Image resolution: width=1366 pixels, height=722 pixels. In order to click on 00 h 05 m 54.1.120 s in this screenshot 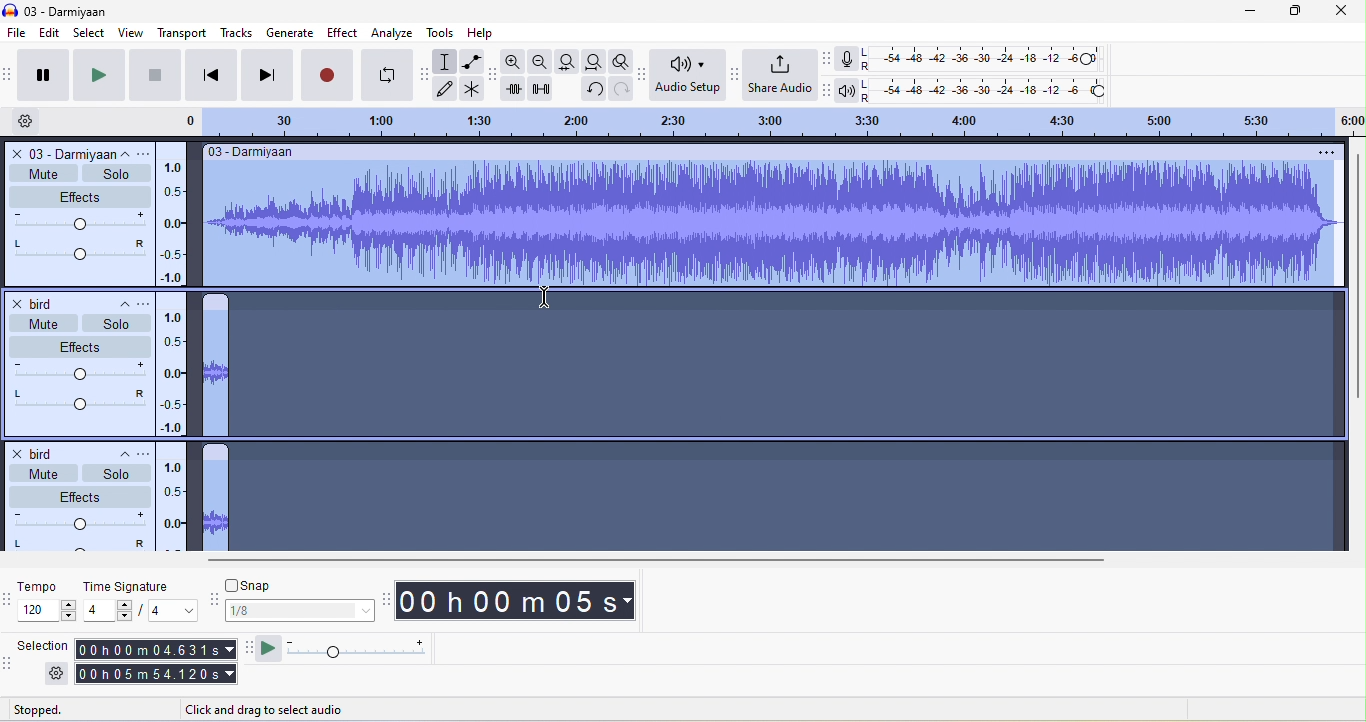, I will do `click(154, 672)`.